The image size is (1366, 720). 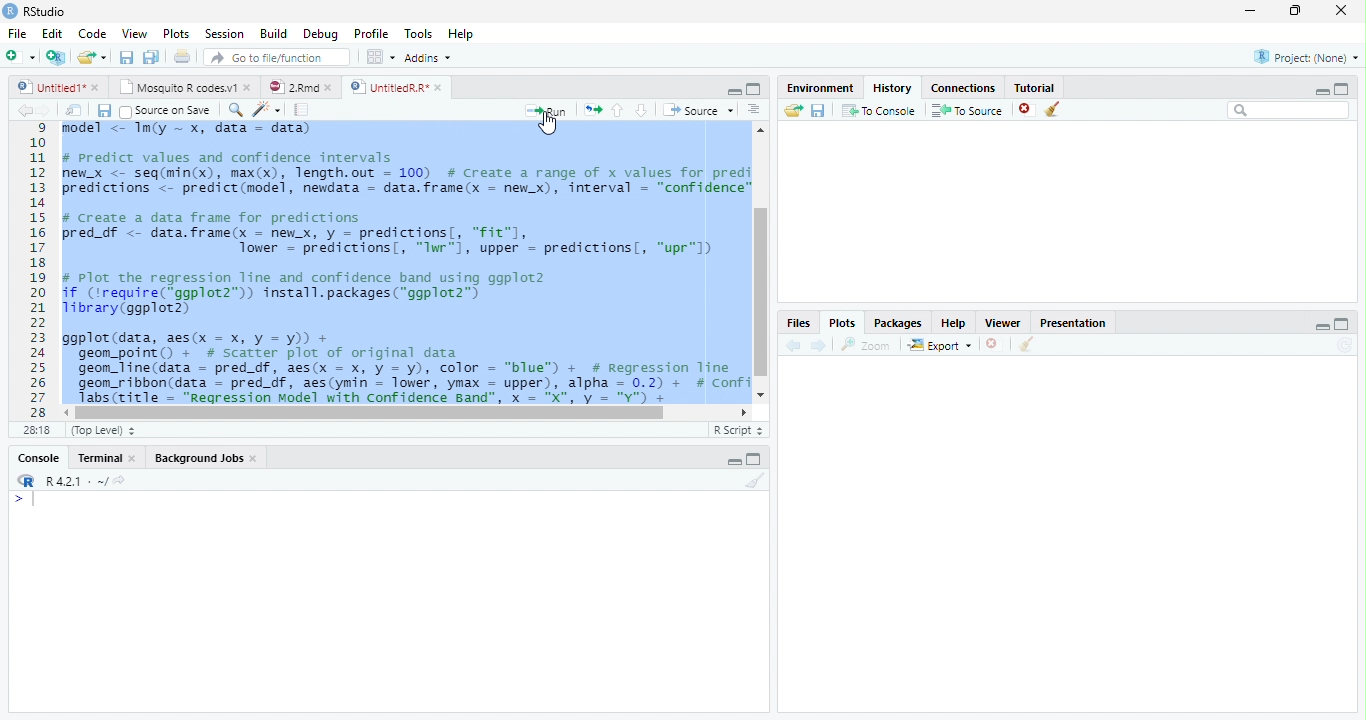 What do you see at coordinates (618, 114) in the screenshot?
I see `Go to the previous section/chunk` at bounding box center [618, 114].